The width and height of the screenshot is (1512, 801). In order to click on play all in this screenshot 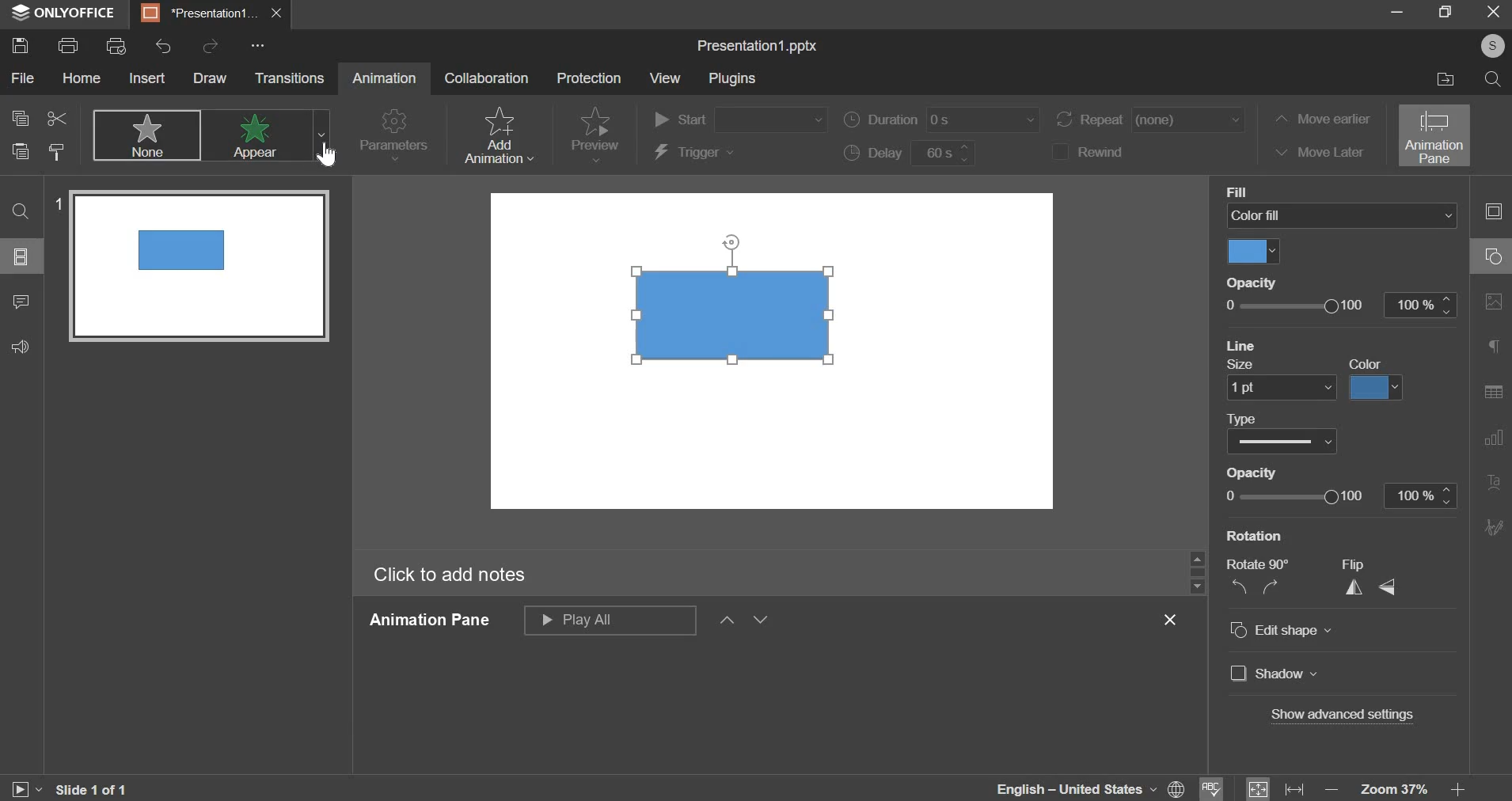, I will do `click(610, 620)`.